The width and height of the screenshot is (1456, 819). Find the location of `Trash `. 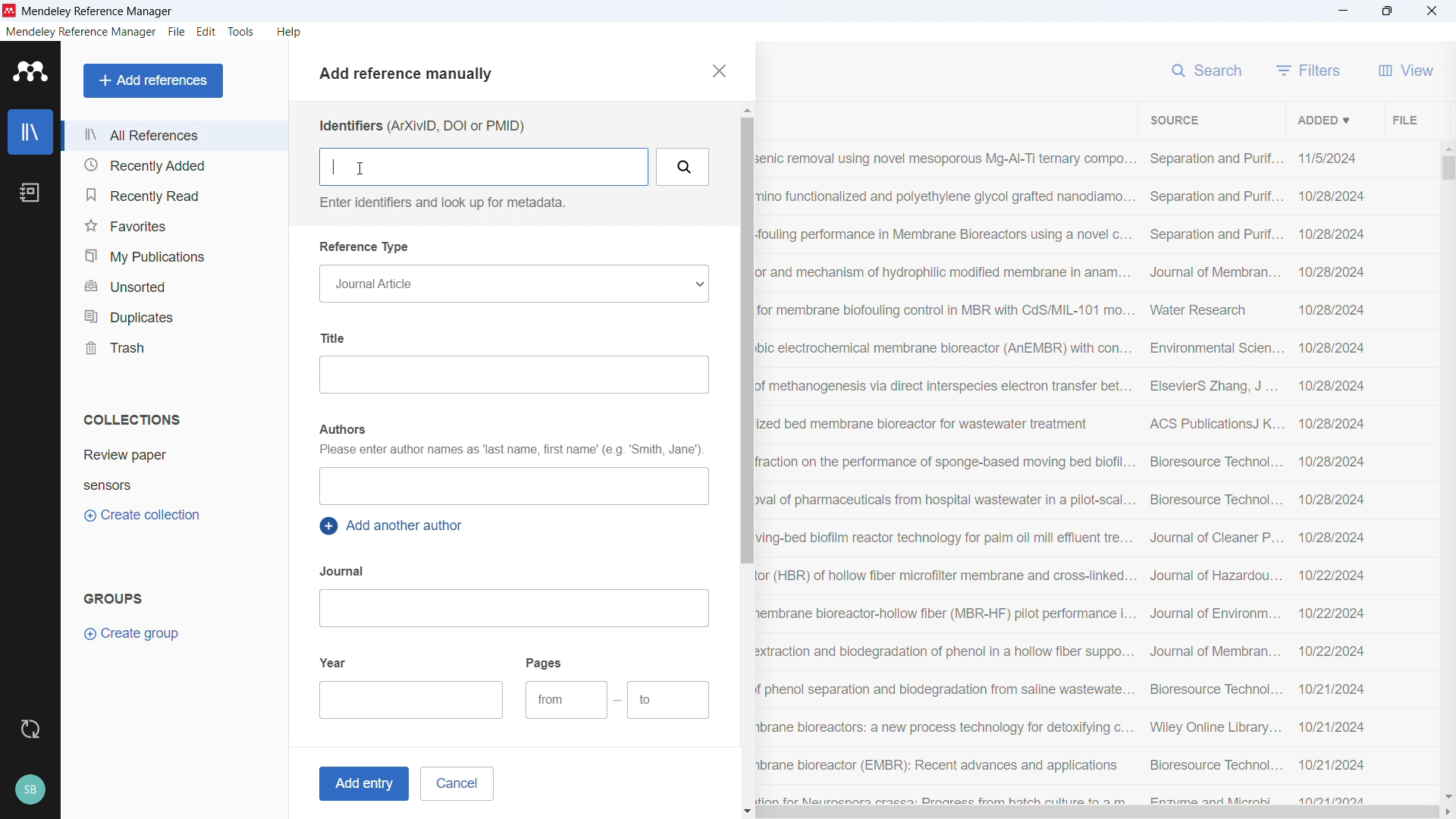

Trash  is located at coordinates (173, 347).